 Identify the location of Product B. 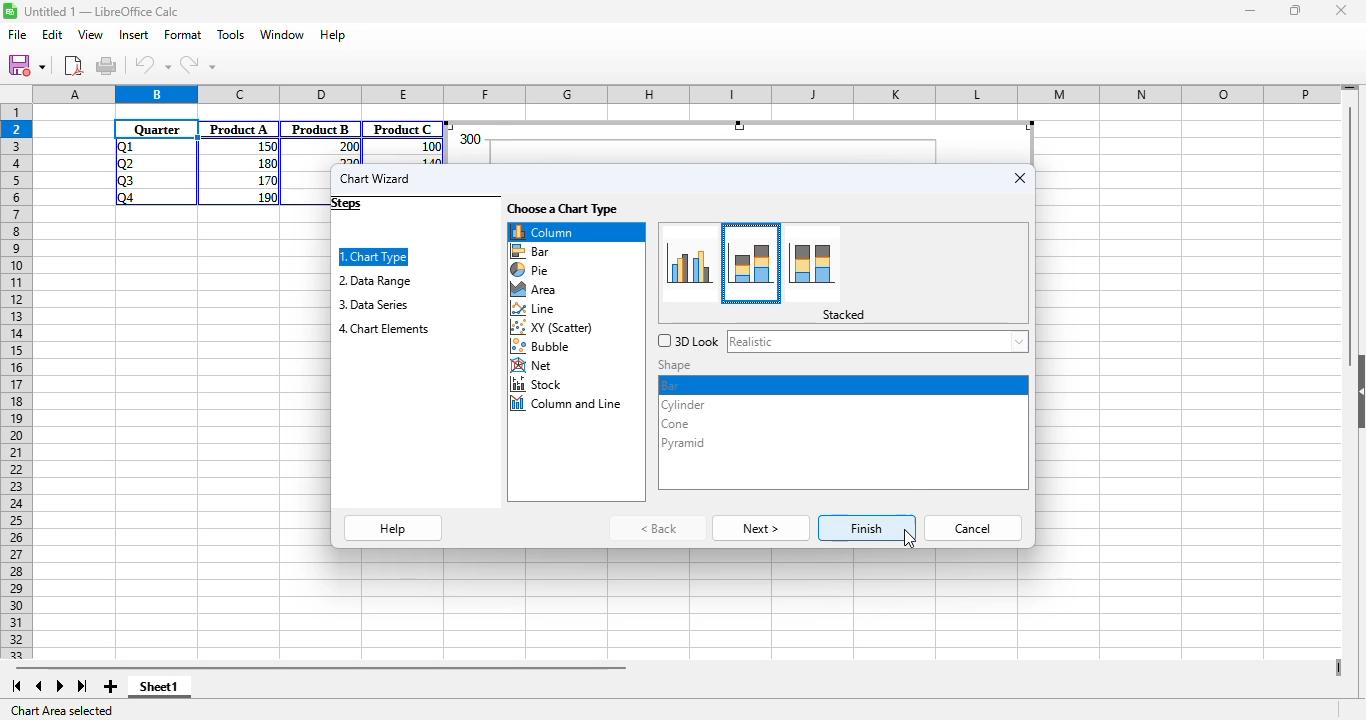
(321, 129).